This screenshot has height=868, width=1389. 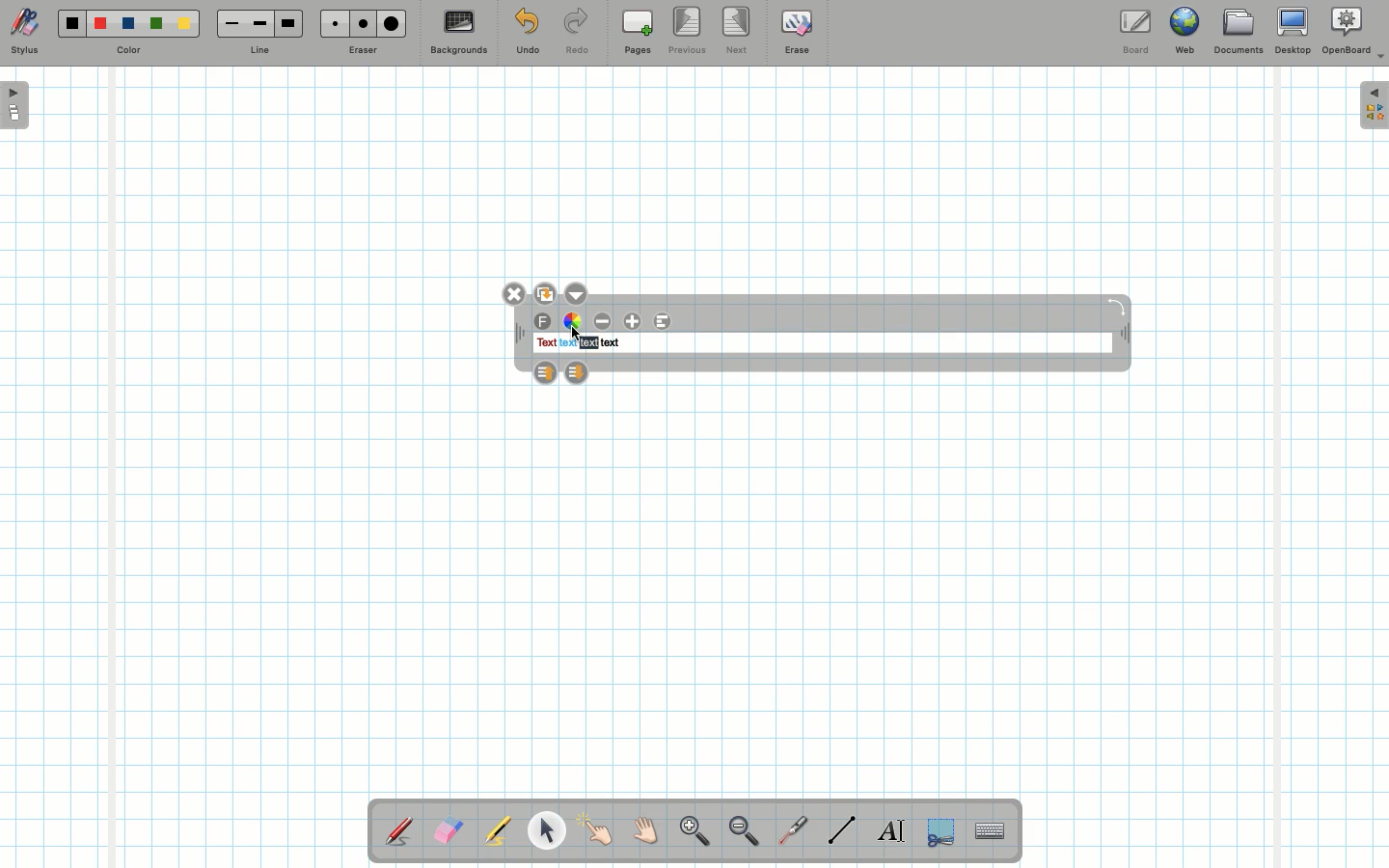 I want to click on Stylus, so click(x=400, y=830).